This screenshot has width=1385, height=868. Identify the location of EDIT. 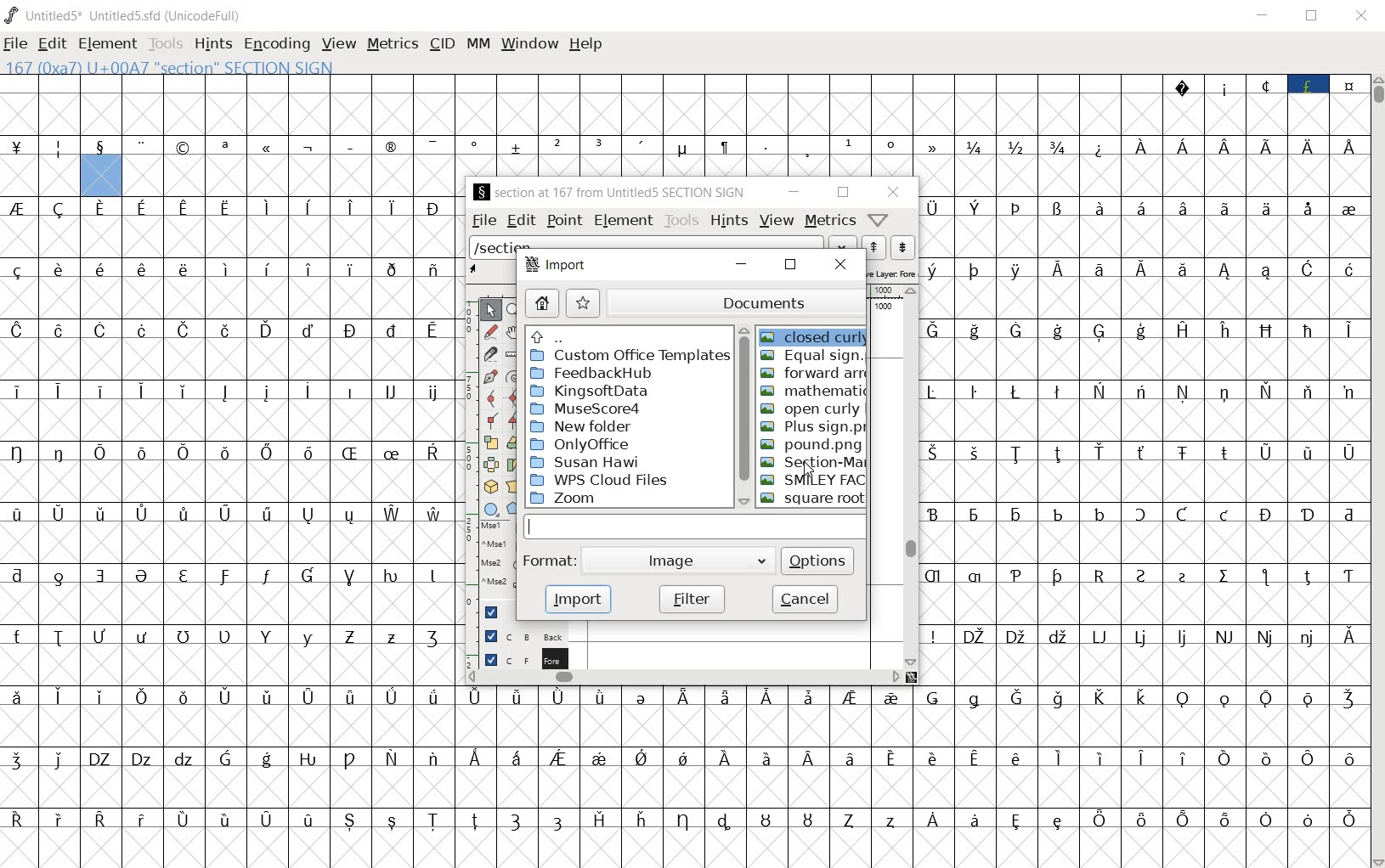
(52, 45).